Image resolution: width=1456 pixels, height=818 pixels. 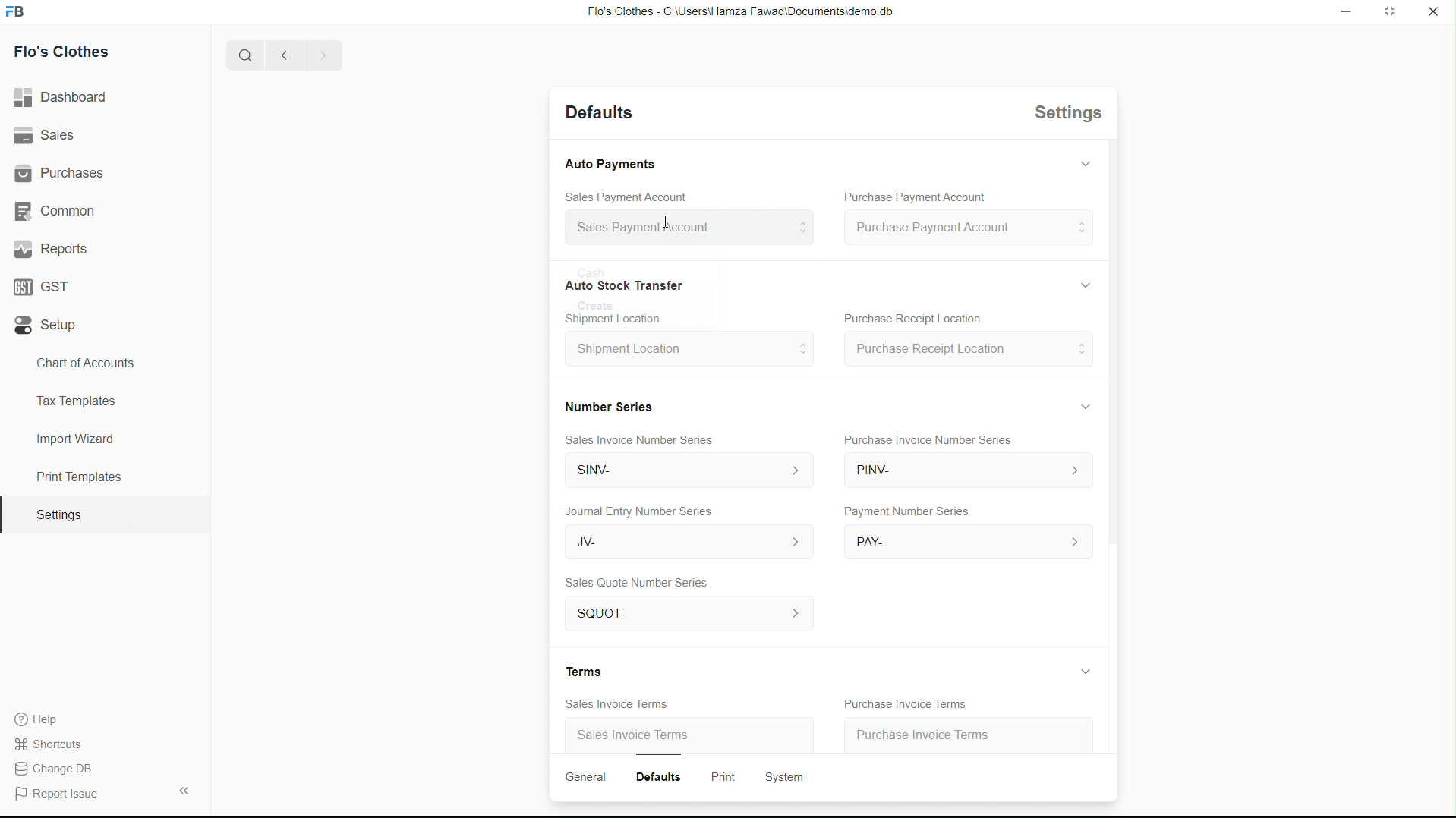 I want to click on GST, so click(x=47, y=283).